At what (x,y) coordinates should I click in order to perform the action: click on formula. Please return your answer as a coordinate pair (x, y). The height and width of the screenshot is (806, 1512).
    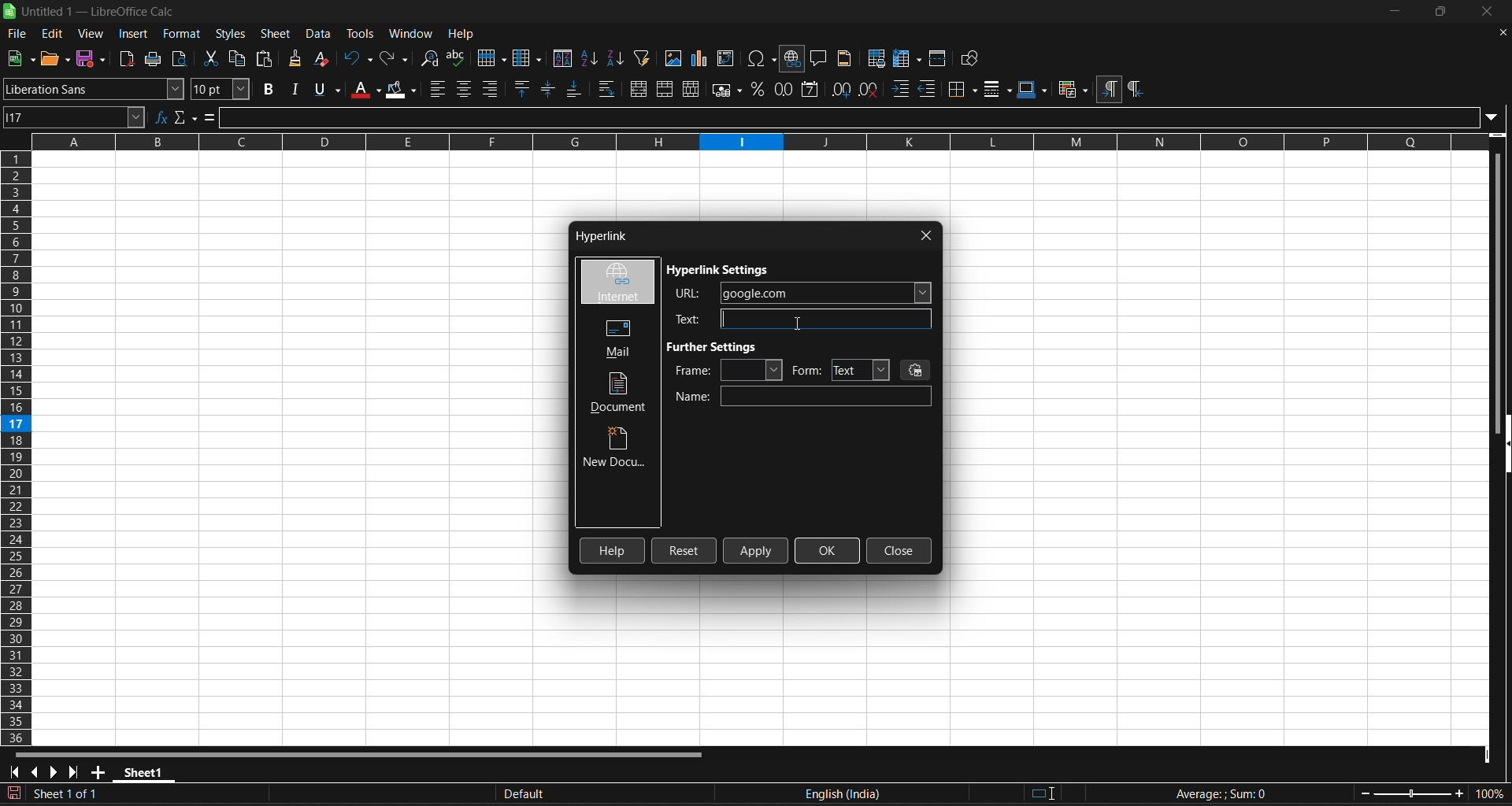
    Looking at the image, I should click on (1220, 793).